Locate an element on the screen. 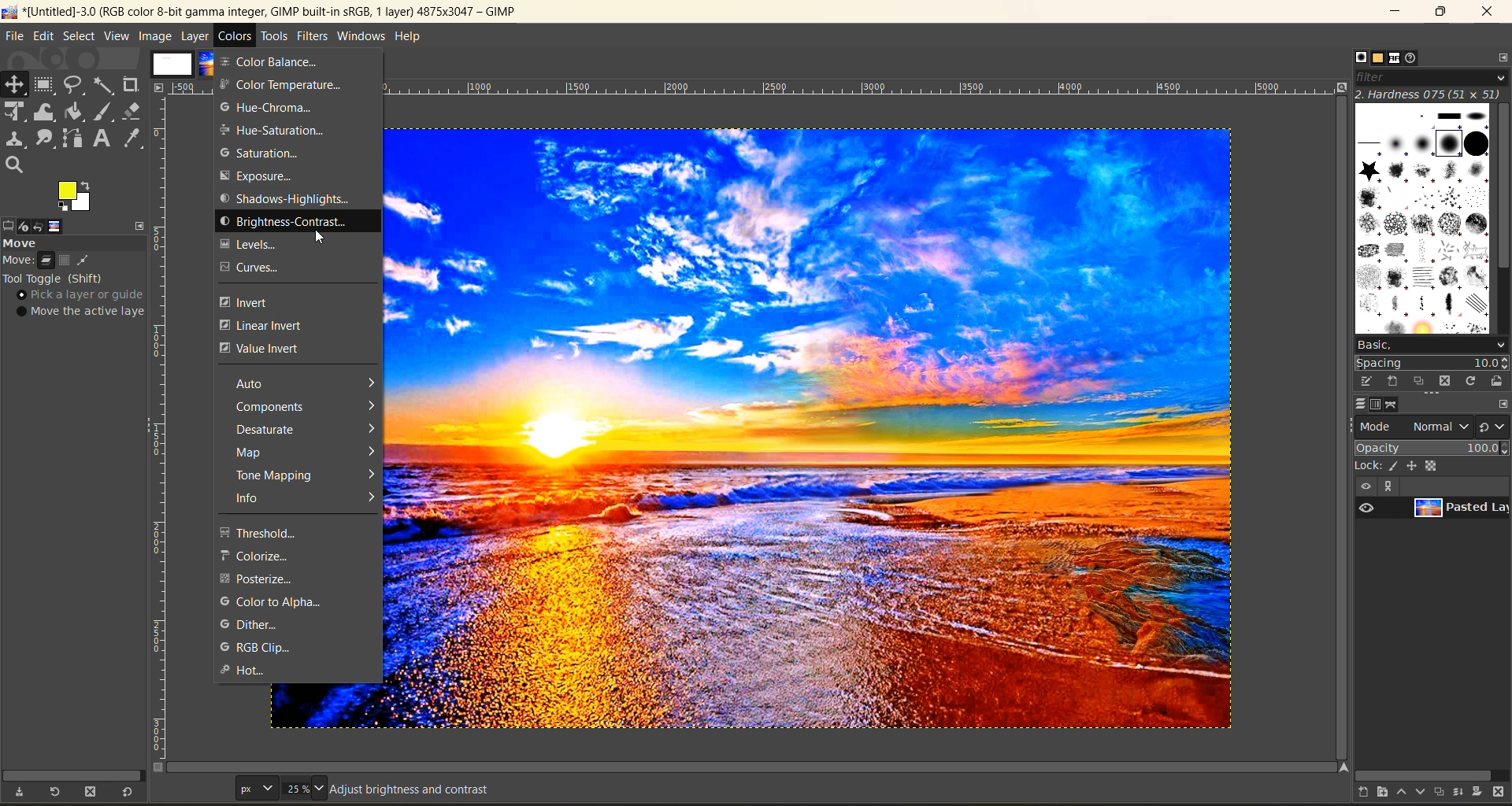  spacing is located at coordinates (1433, 364).